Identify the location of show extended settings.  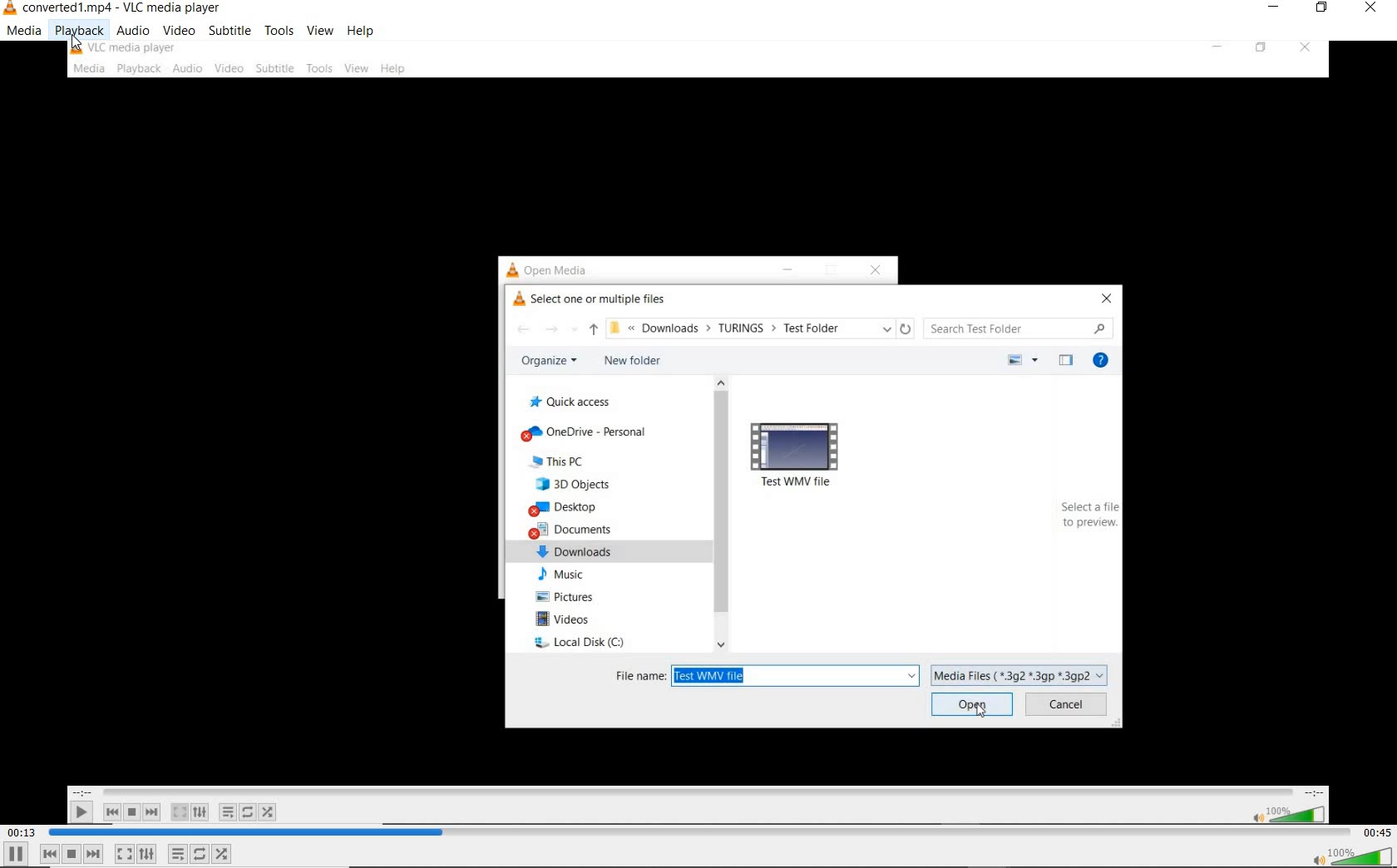
(148, 853).